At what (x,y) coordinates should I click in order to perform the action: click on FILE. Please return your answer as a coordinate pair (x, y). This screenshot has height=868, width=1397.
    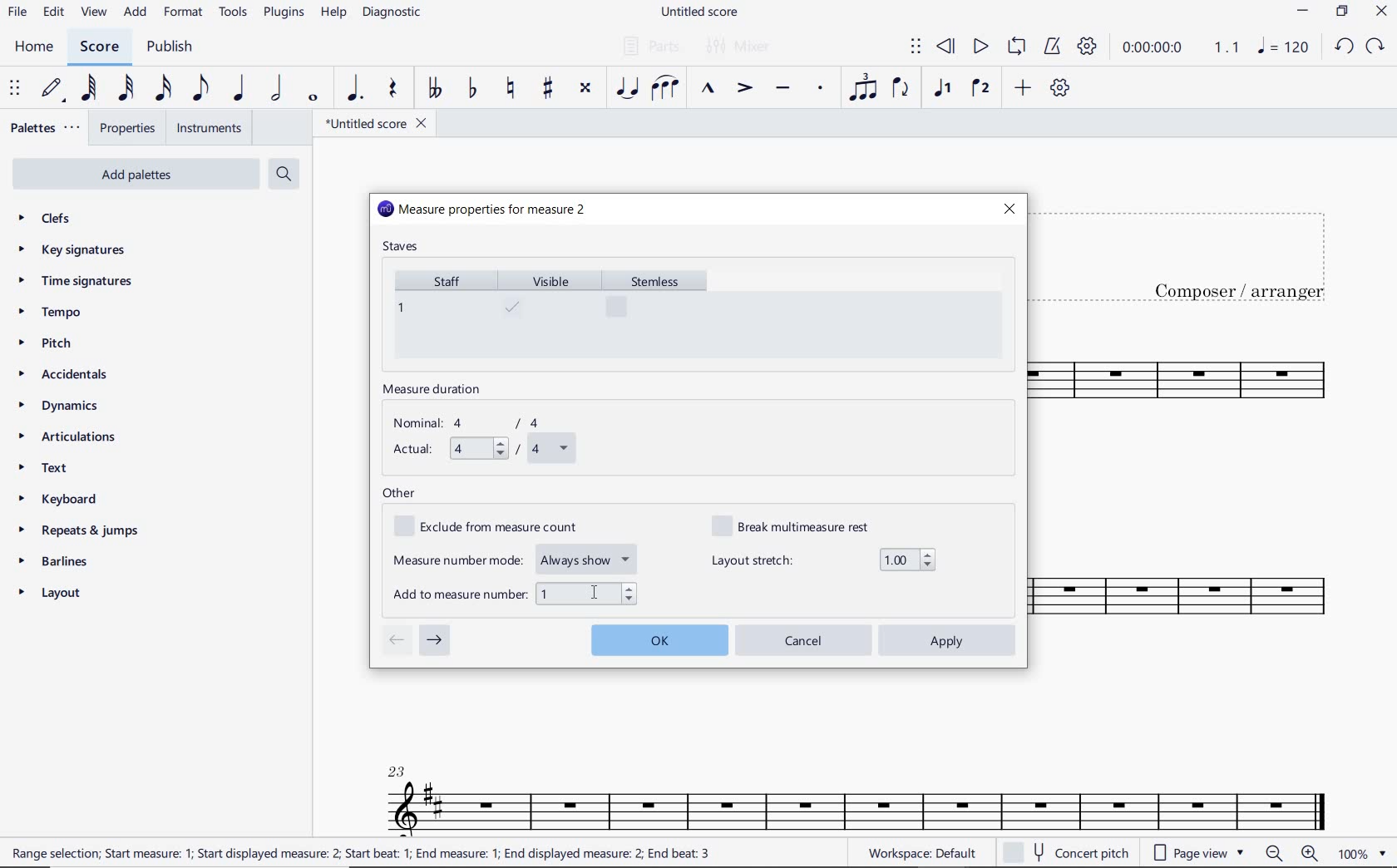
    Looking at the image, I should click on (17, 13).